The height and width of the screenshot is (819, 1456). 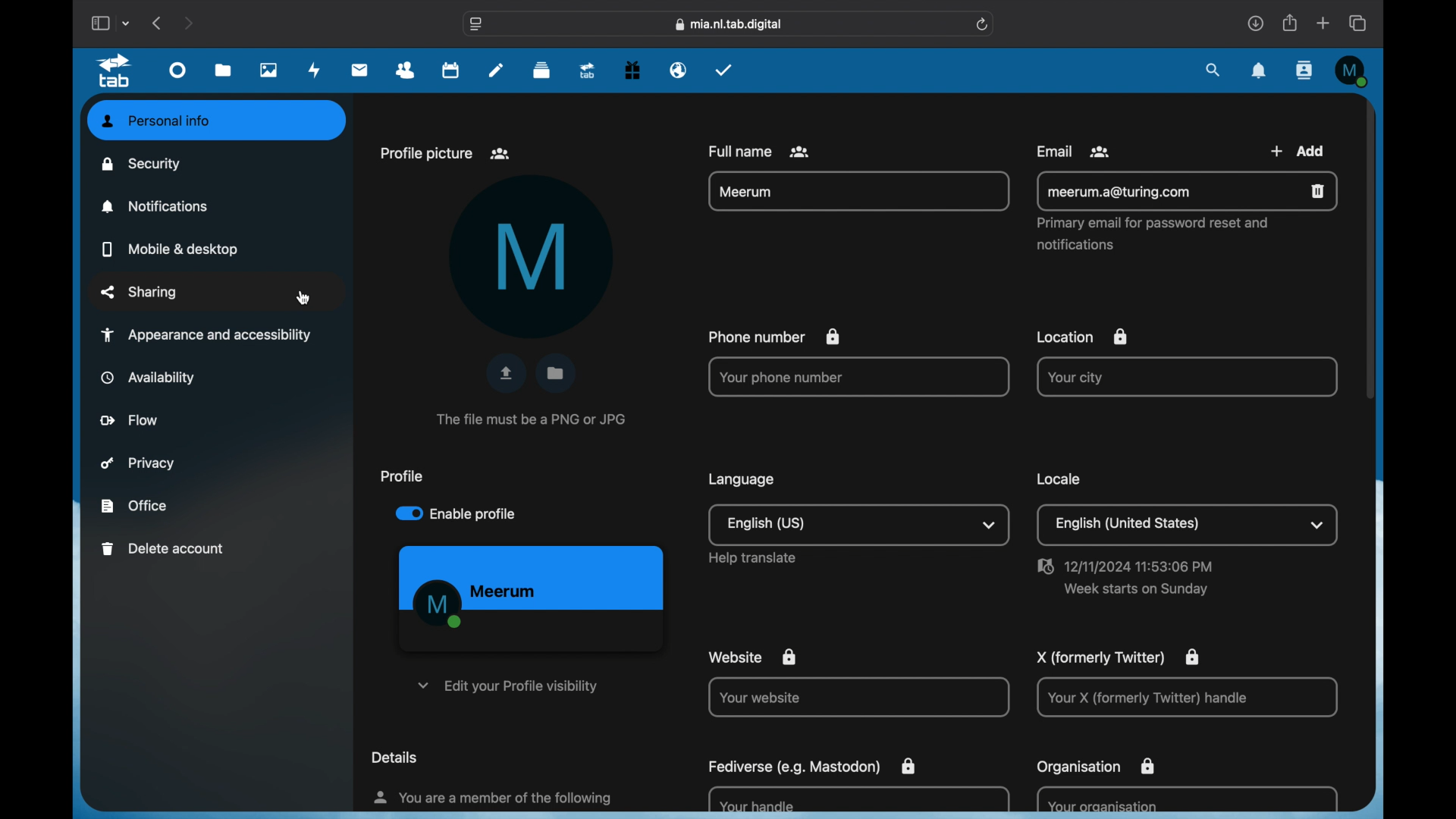 I want to click on location, so click(x=1088, y=338).